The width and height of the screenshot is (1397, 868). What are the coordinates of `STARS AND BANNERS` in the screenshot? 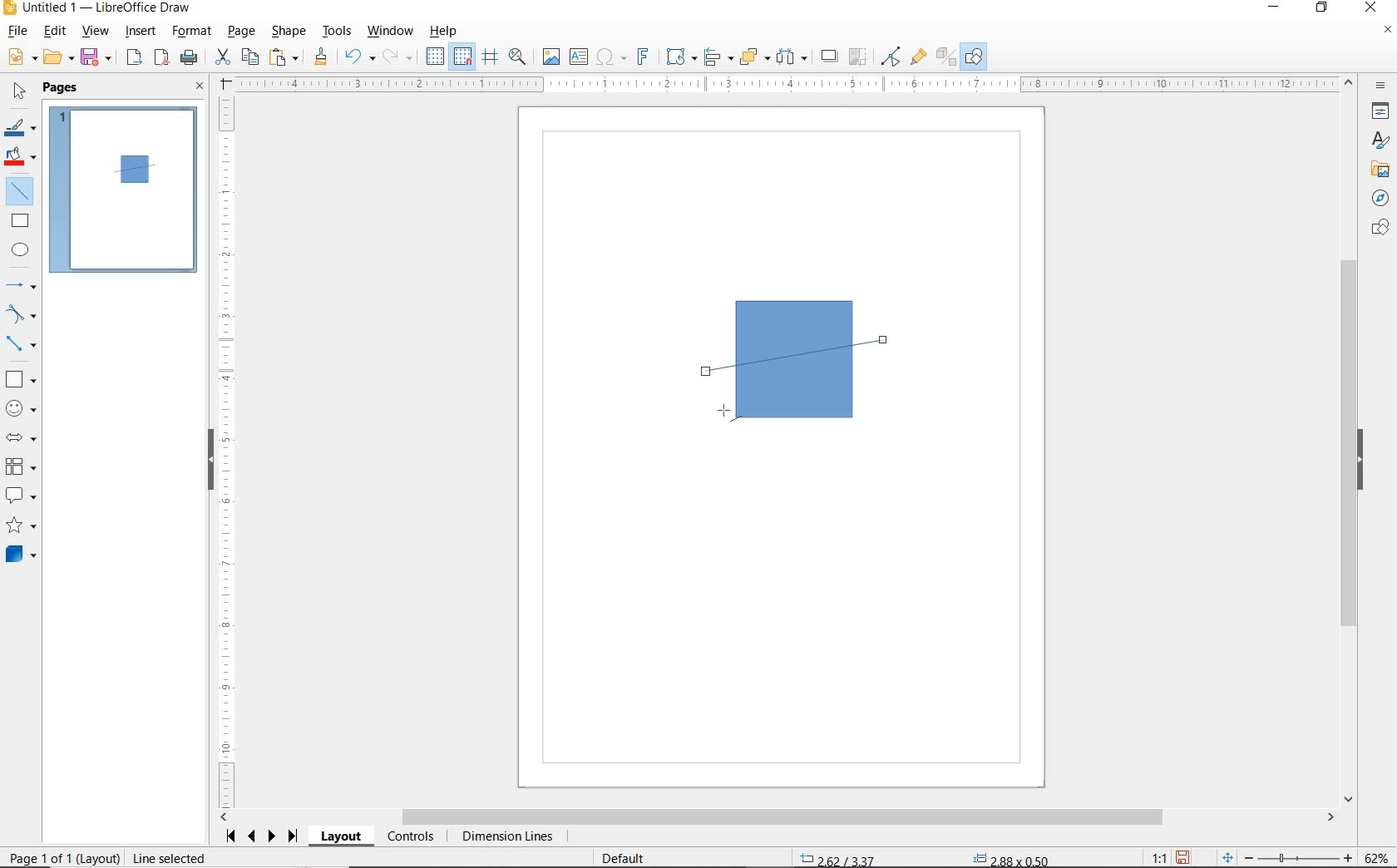 It's located at (21, 526).